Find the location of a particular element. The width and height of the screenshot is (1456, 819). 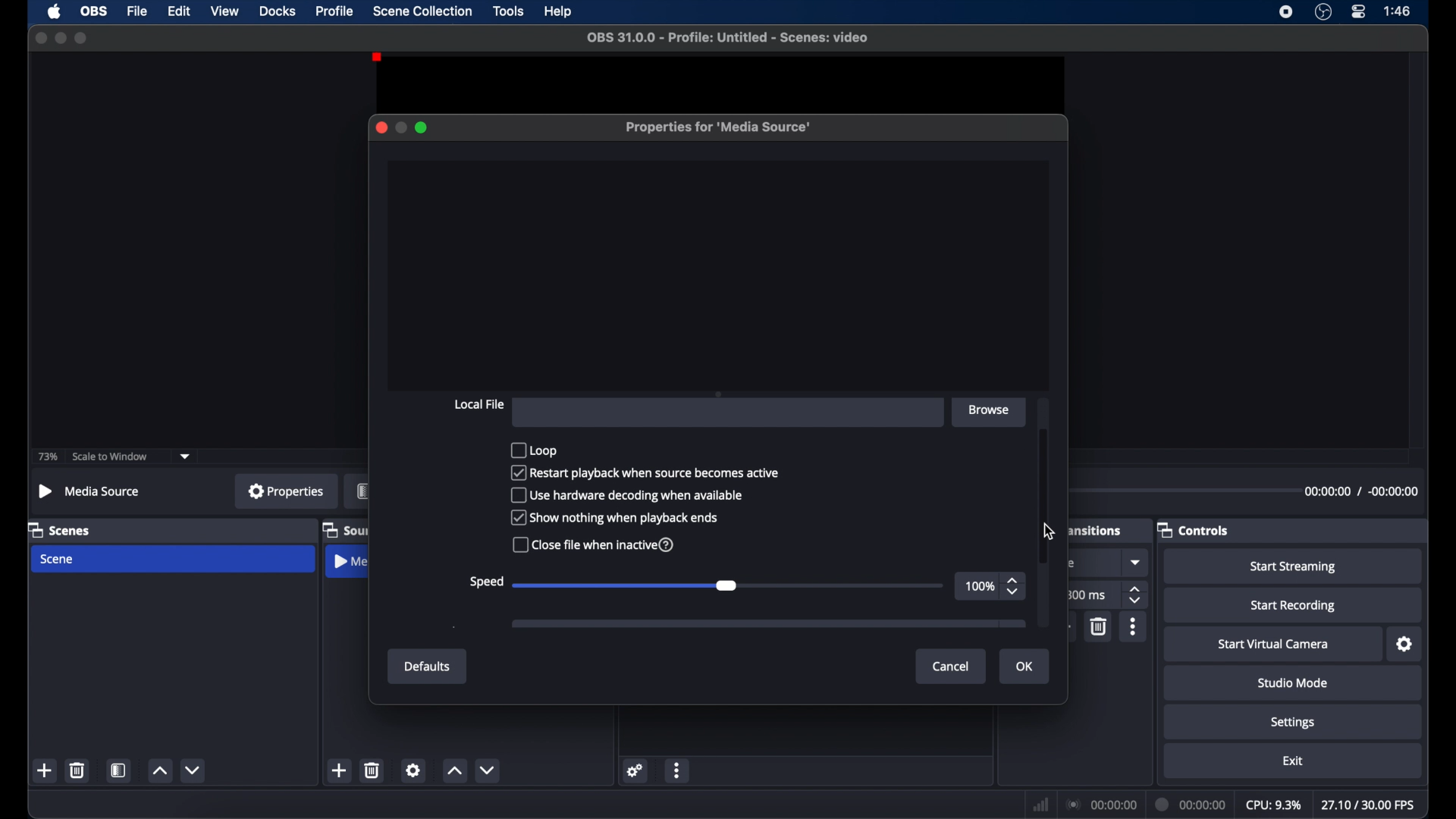

profile is located at coordinates (335, 11).